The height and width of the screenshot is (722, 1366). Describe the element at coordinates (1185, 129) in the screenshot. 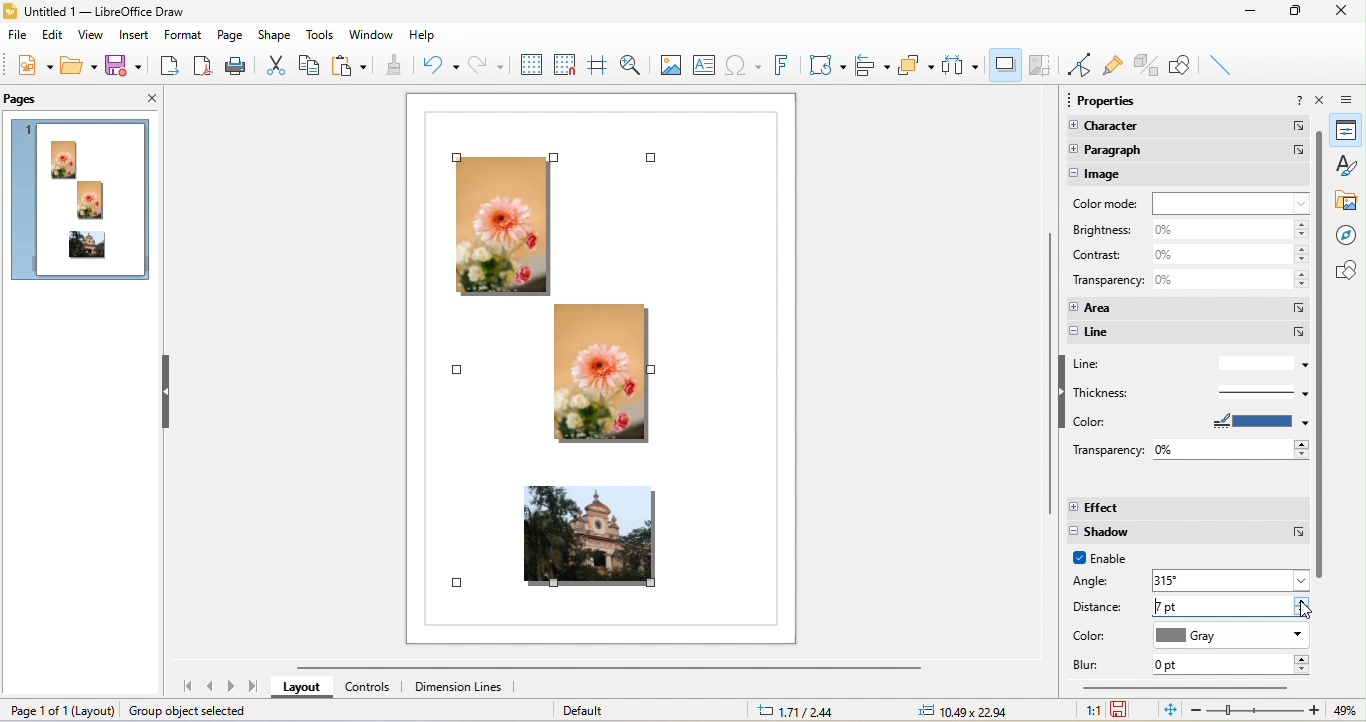

I see `character` at that location.